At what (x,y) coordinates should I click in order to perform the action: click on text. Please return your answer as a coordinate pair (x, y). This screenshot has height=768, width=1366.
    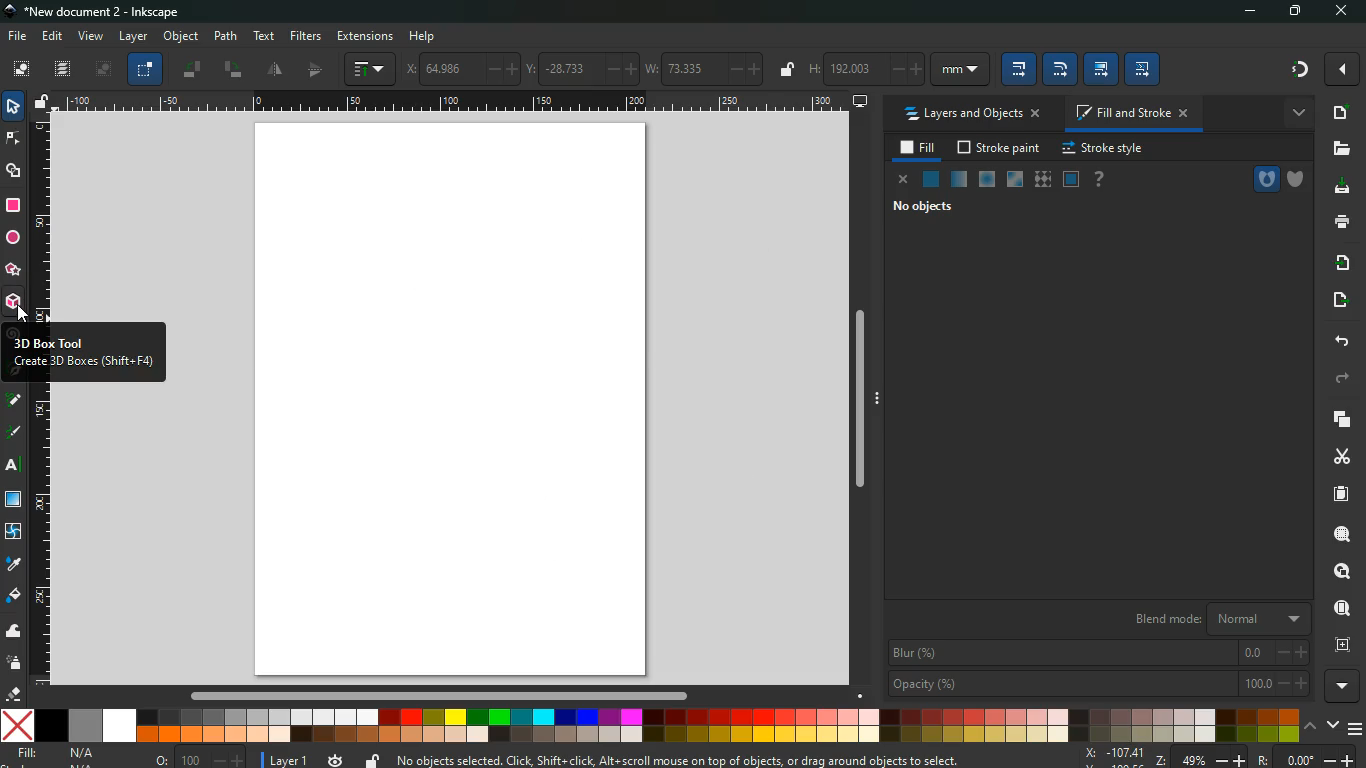
    Looking at the image, I should click on (15, 467).